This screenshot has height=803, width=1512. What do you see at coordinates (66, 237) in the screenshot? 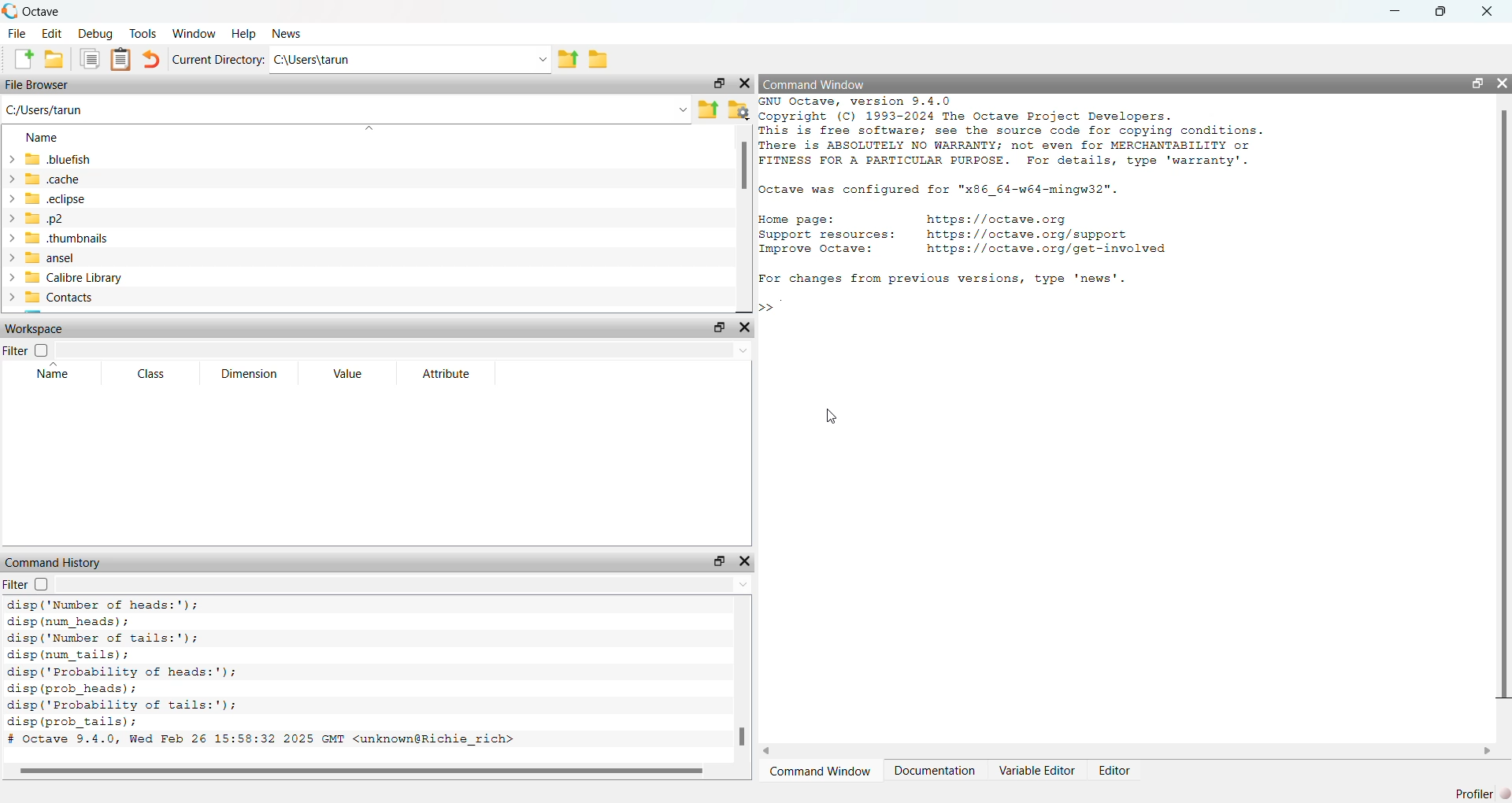
I see `.thumbnails` at bounding box center [66, 237].